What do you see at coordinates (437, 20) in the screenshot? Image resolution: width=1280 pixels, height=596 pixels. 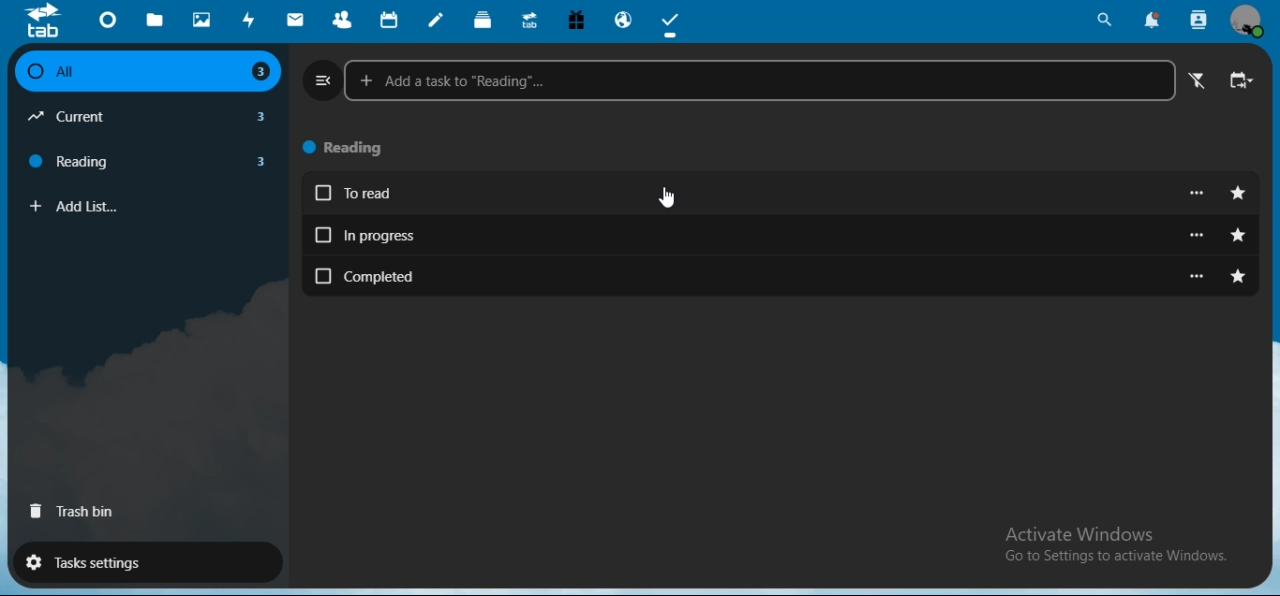 I see `notes` at bounding box center [437, 20].